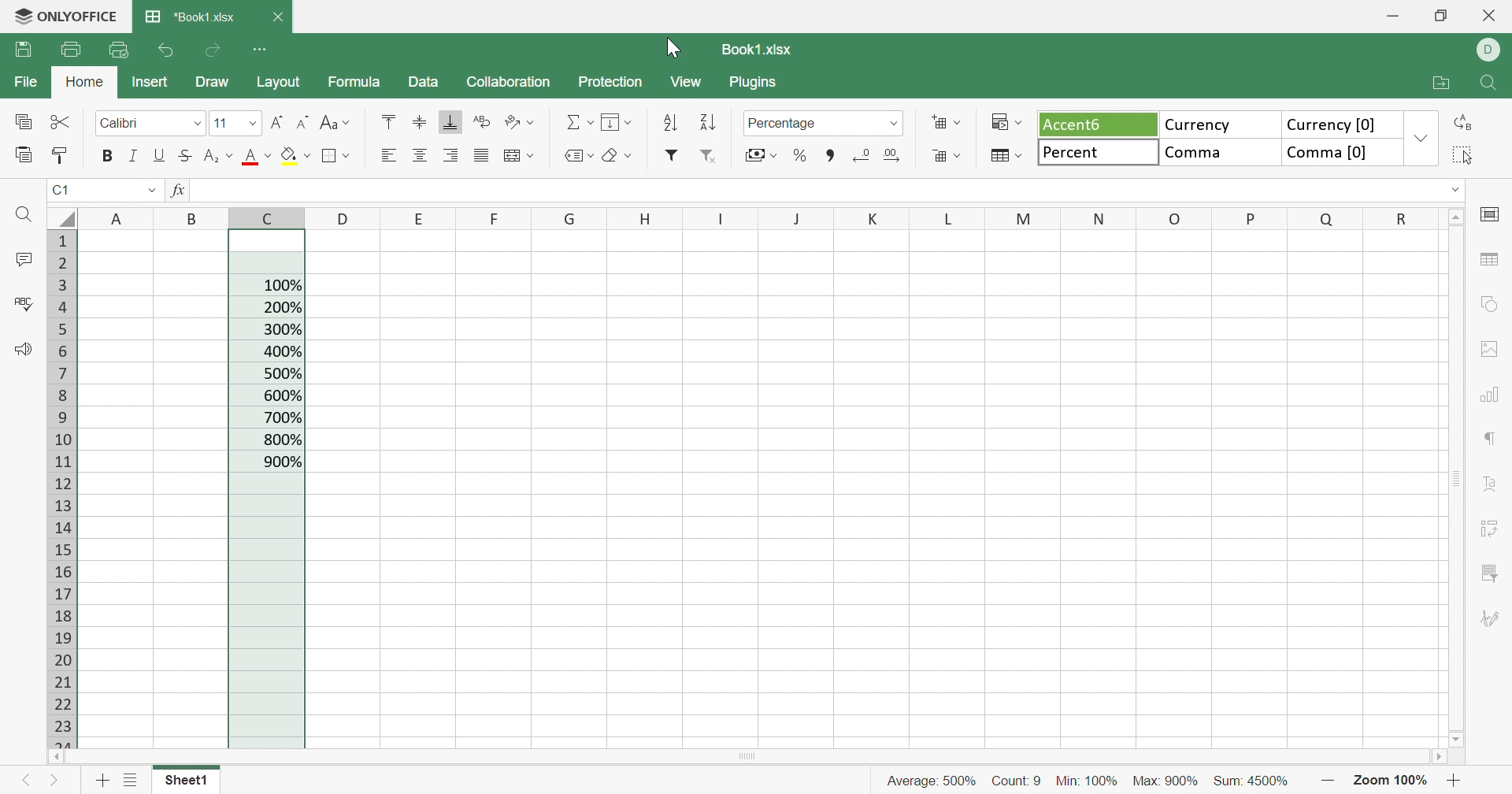 Image resolution: width=1512 pixels, height=794 pixels. I want to click on Quick Print, so click(117, 52).